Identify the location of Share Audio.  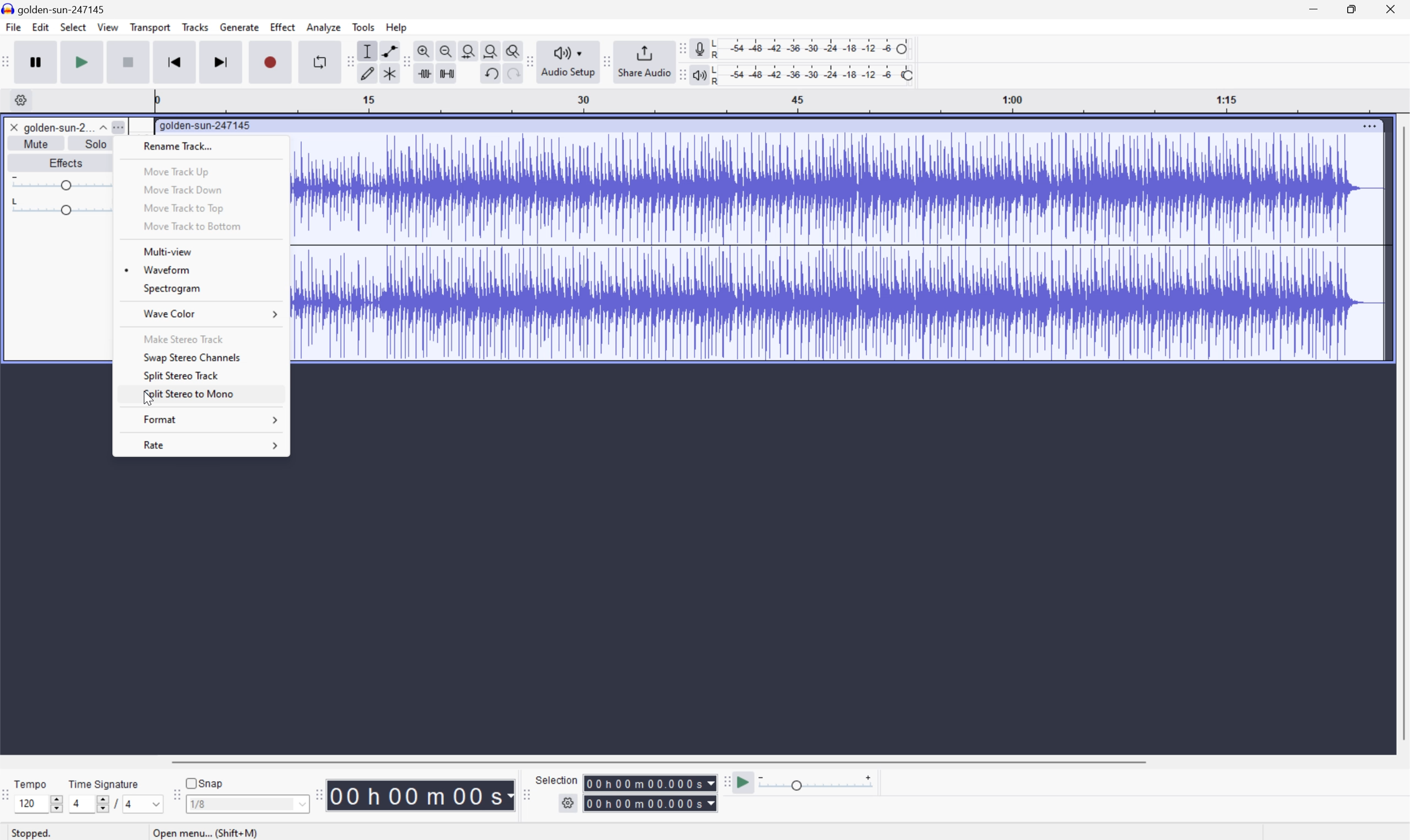
(641, 59).